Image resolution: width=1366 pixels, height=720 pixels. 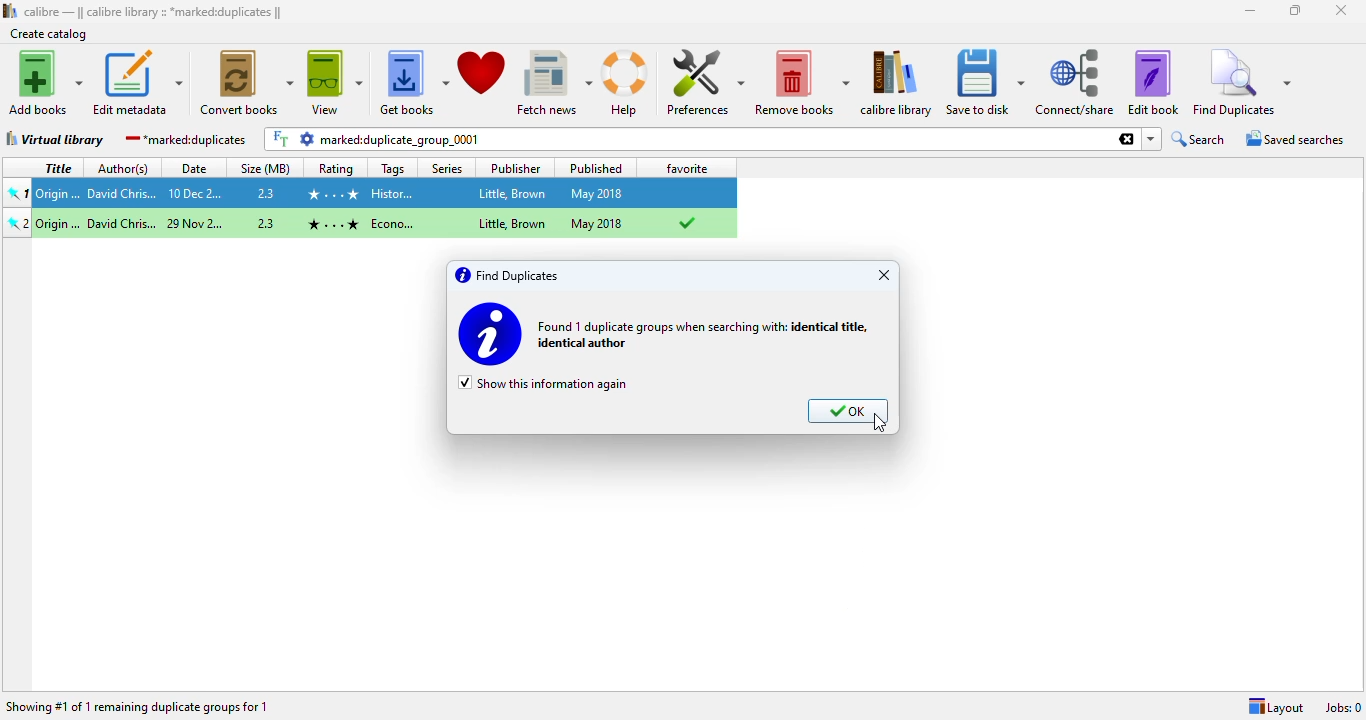 What do you see at coordinates (665, 335) in the screenshot?
I see `found 1 duplicate groups when searching with: identical title, identical author` at bounding box center [665, 335].